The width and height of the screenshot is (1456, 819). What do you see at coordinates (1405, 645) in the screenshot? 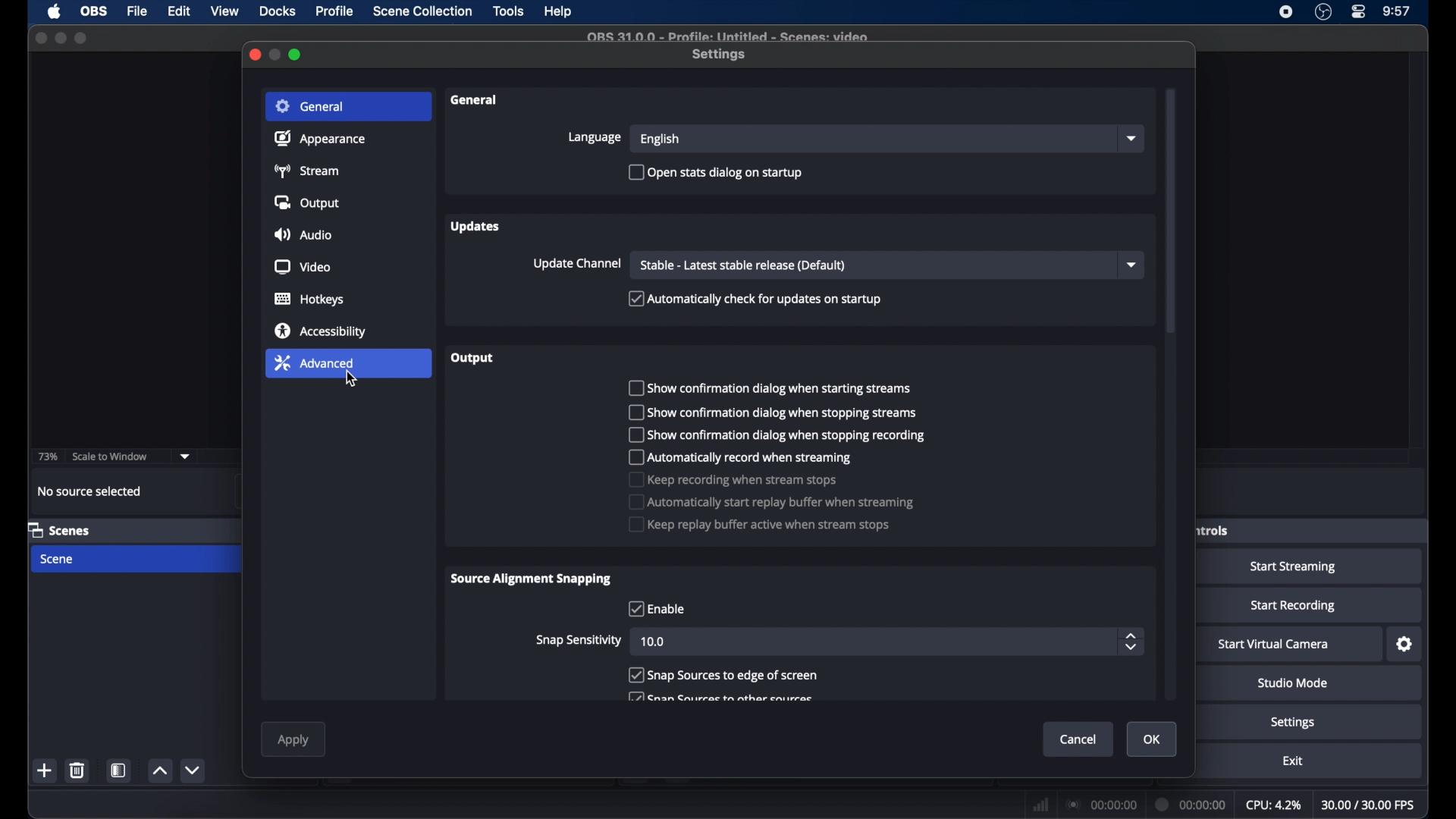
I see `settings` at bounding box center [1405, 645].